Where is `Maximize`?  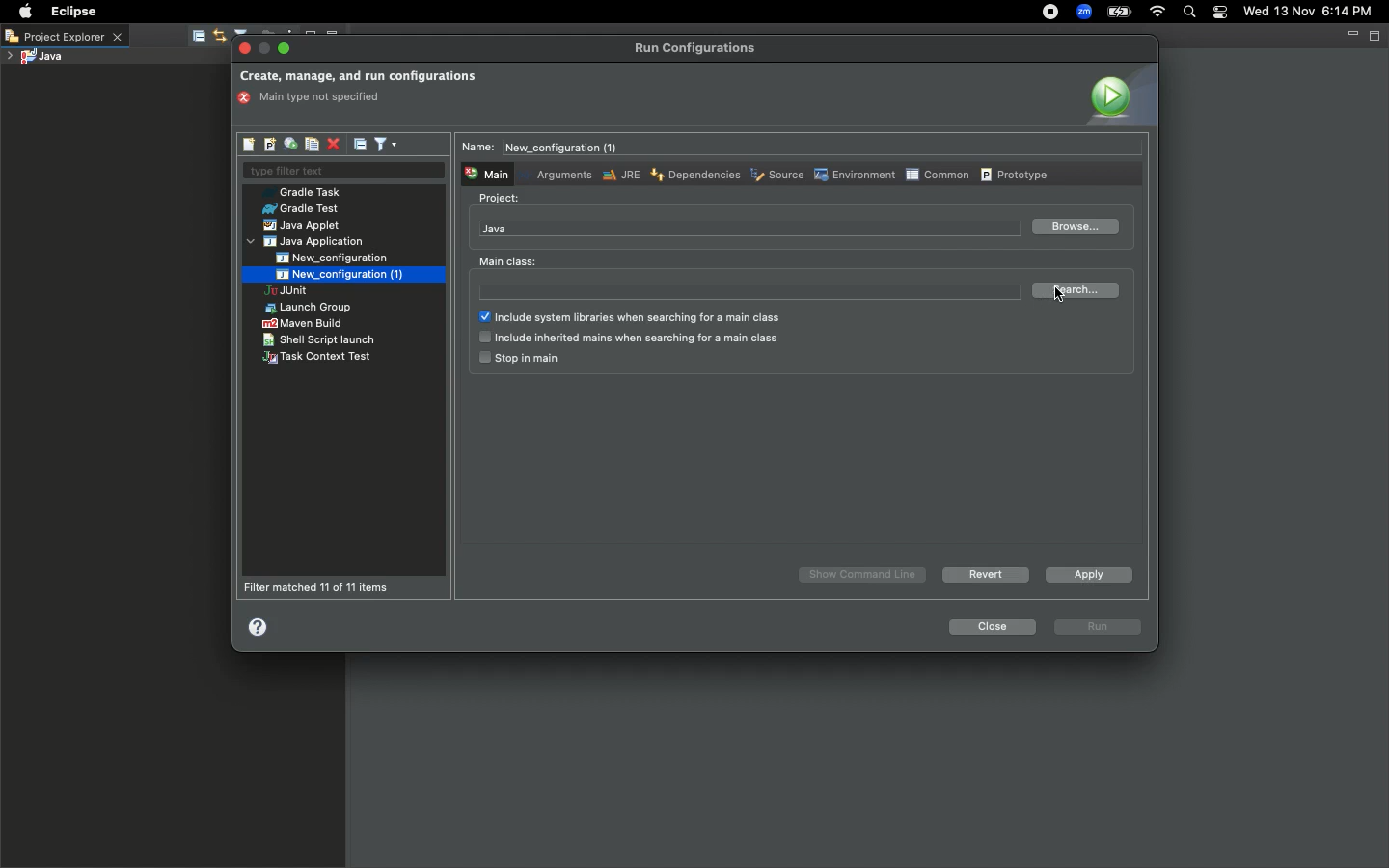
Maximize is located at coordinates (1376, 35).